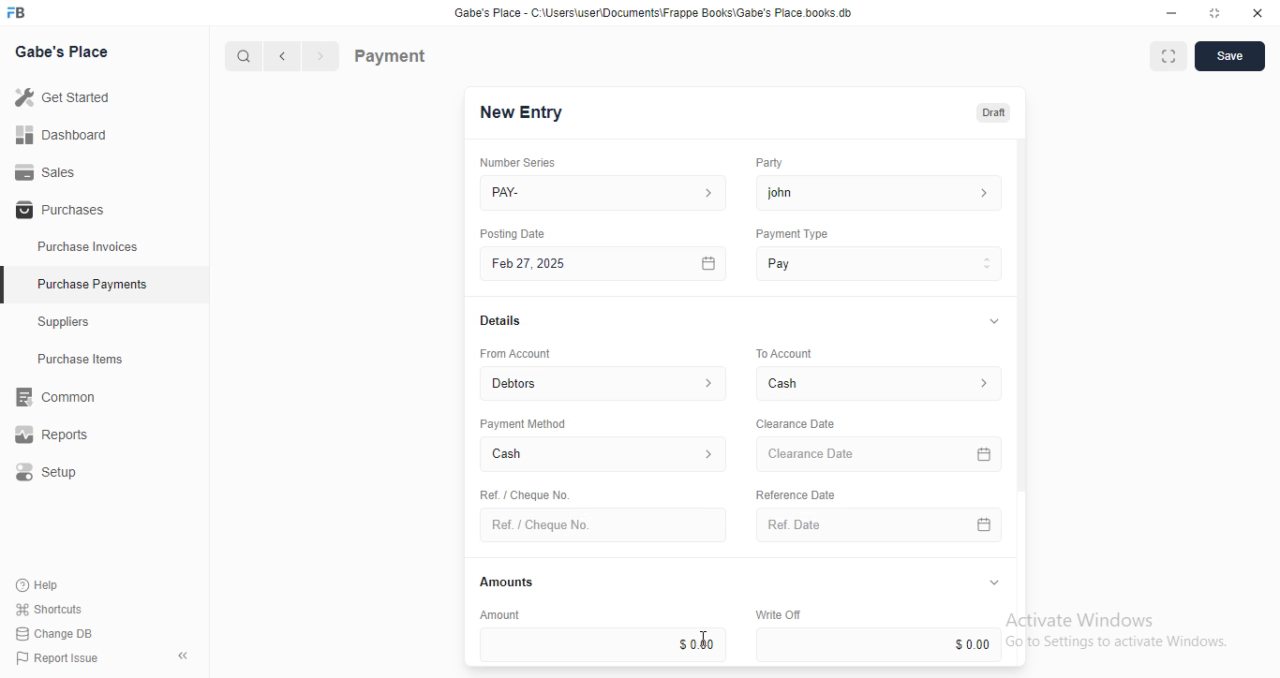  What do you see at coordinates (59, 435) in the screenshot?
I see `Reports.` at bounding box center [59, 435].